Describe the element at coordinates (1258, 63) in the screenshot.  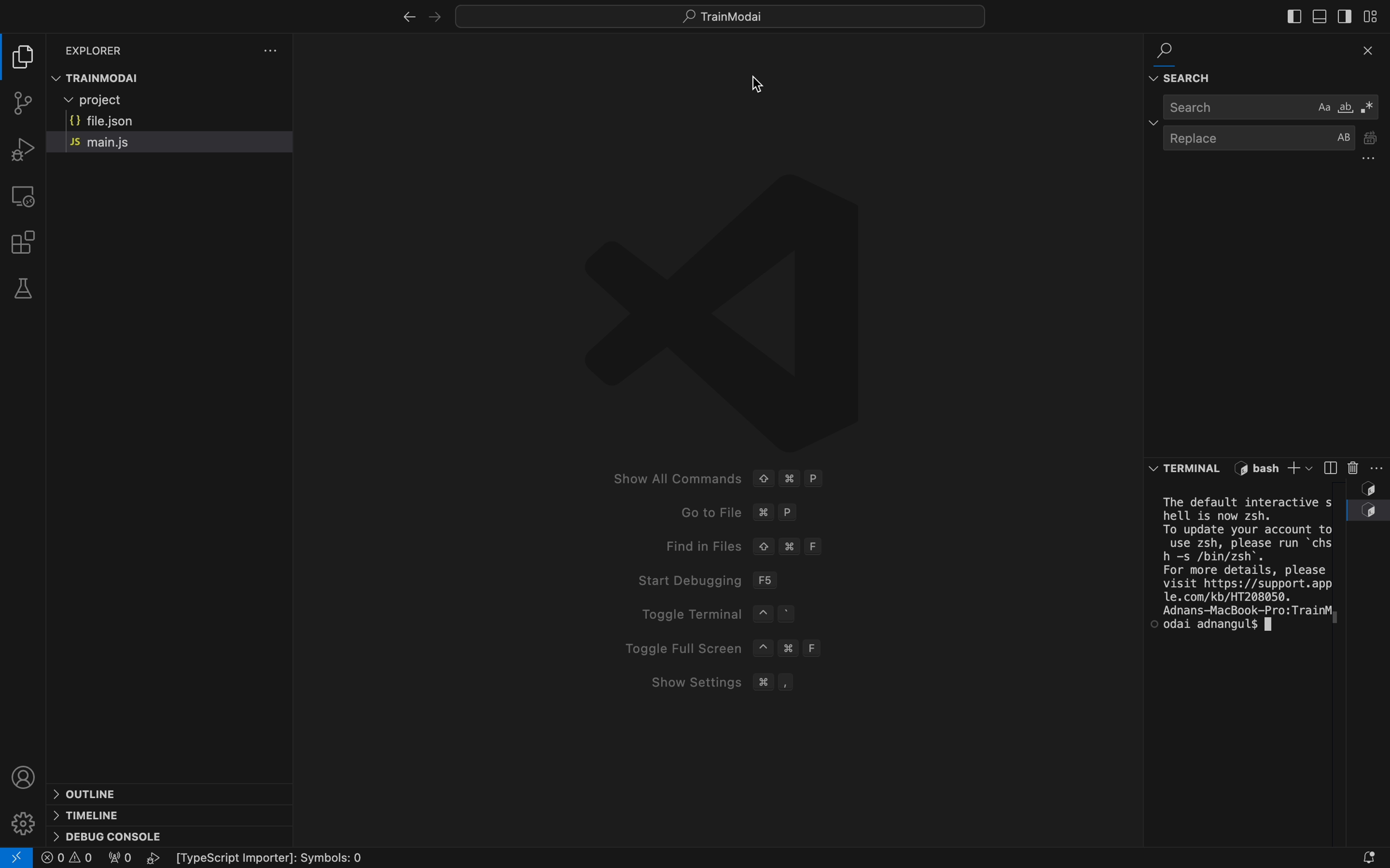
I see `find and replace` at that location.